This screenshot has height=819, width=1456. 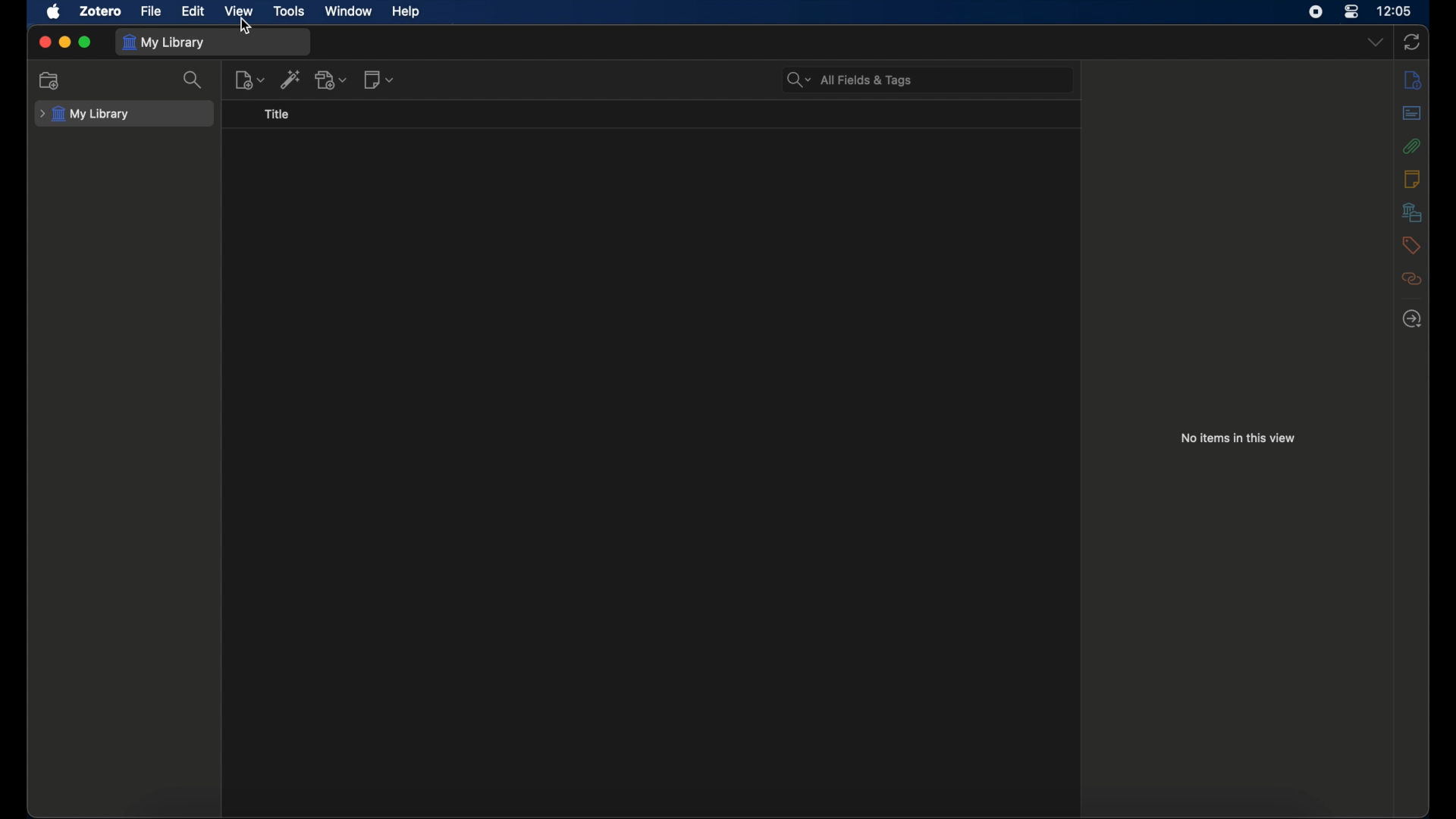 I want to click on dropdown, so click(x=1376, y=42).